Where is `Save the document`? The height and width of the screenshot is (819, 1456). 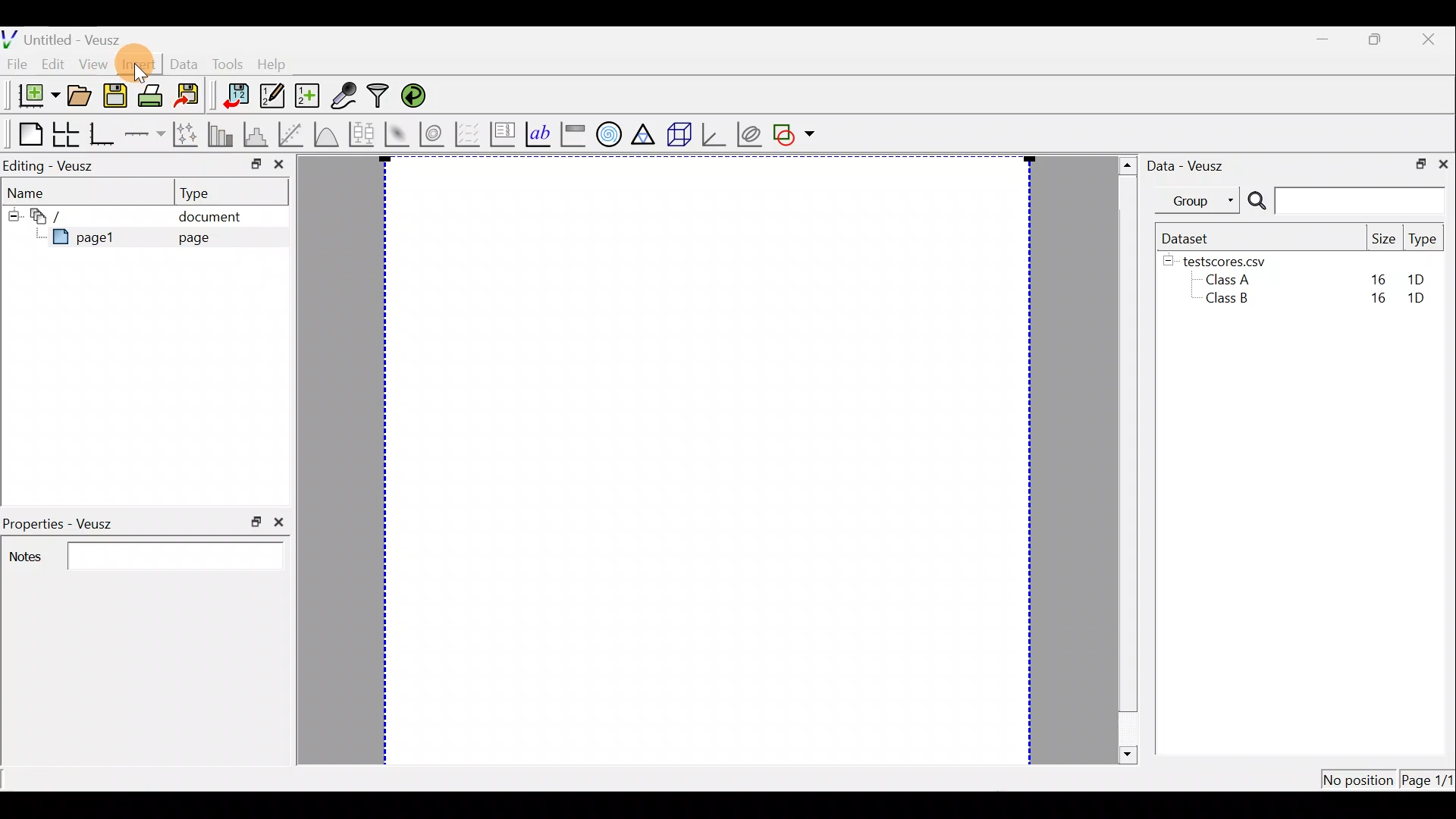 Save the document is located at coordinates (115, 93).